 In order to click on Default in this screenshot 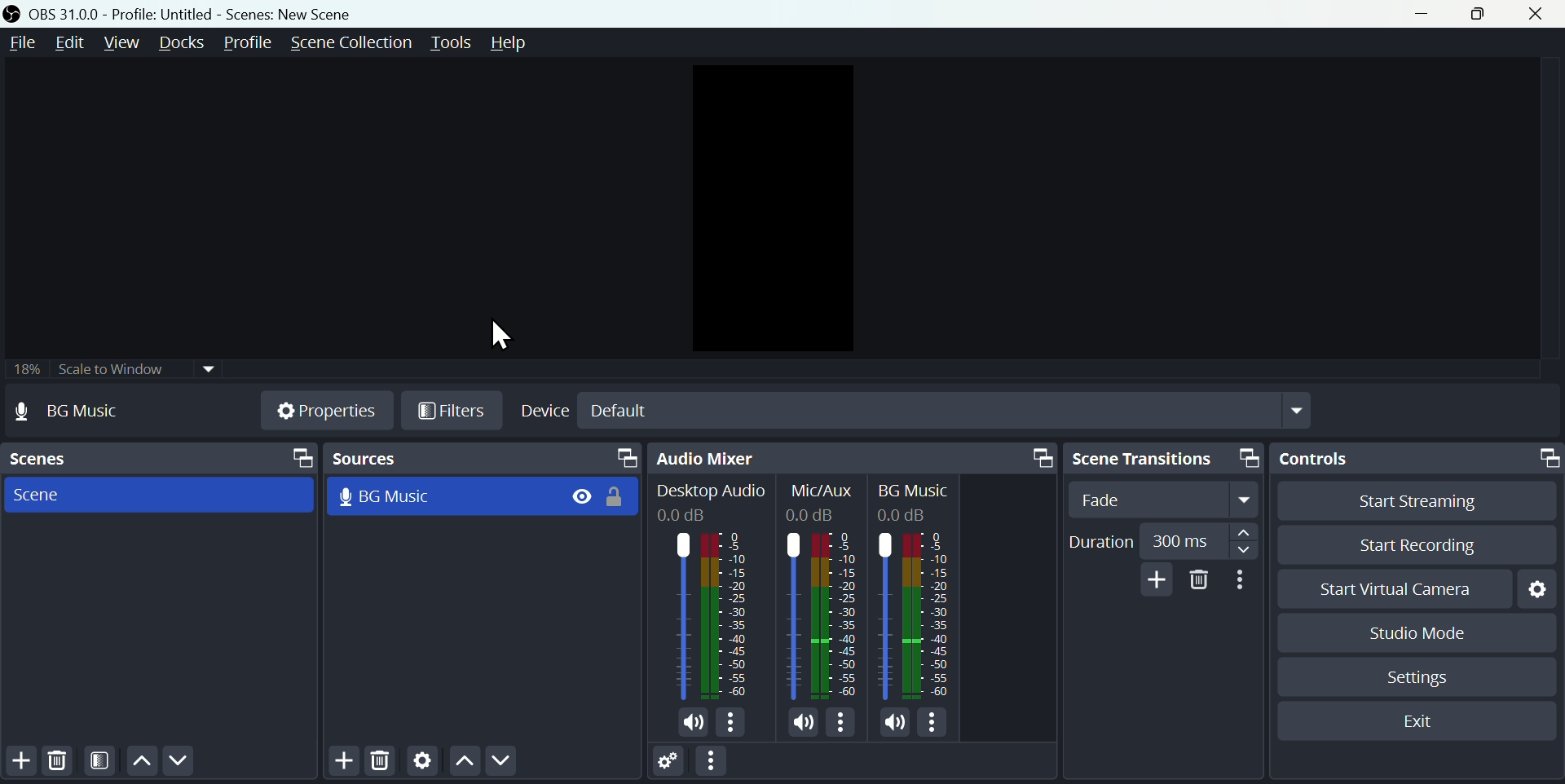, I will do `click(620, 411)`.